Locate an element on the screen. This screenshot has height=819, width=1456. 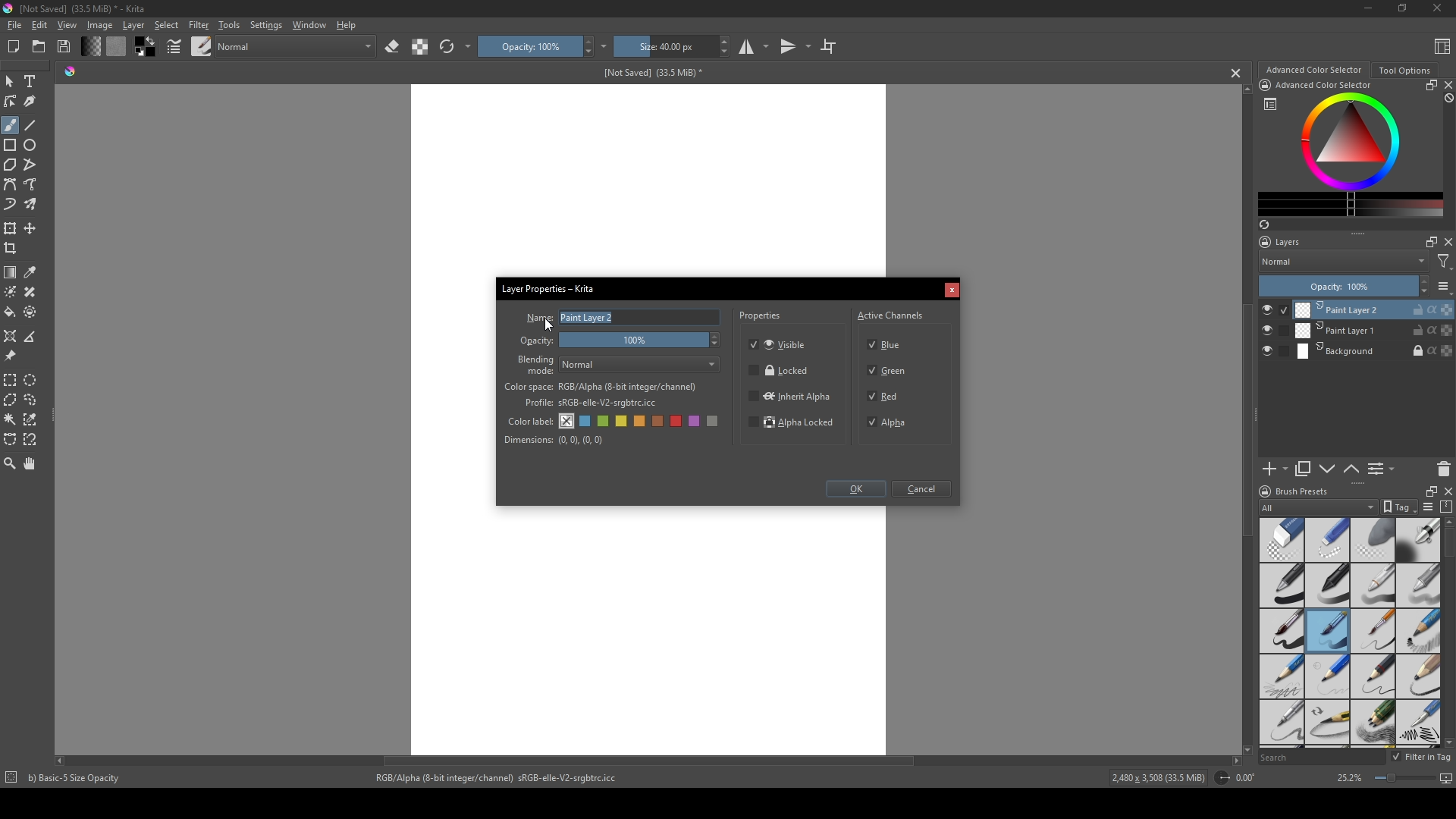
standard eraser is located at coordinates (1281, 539).